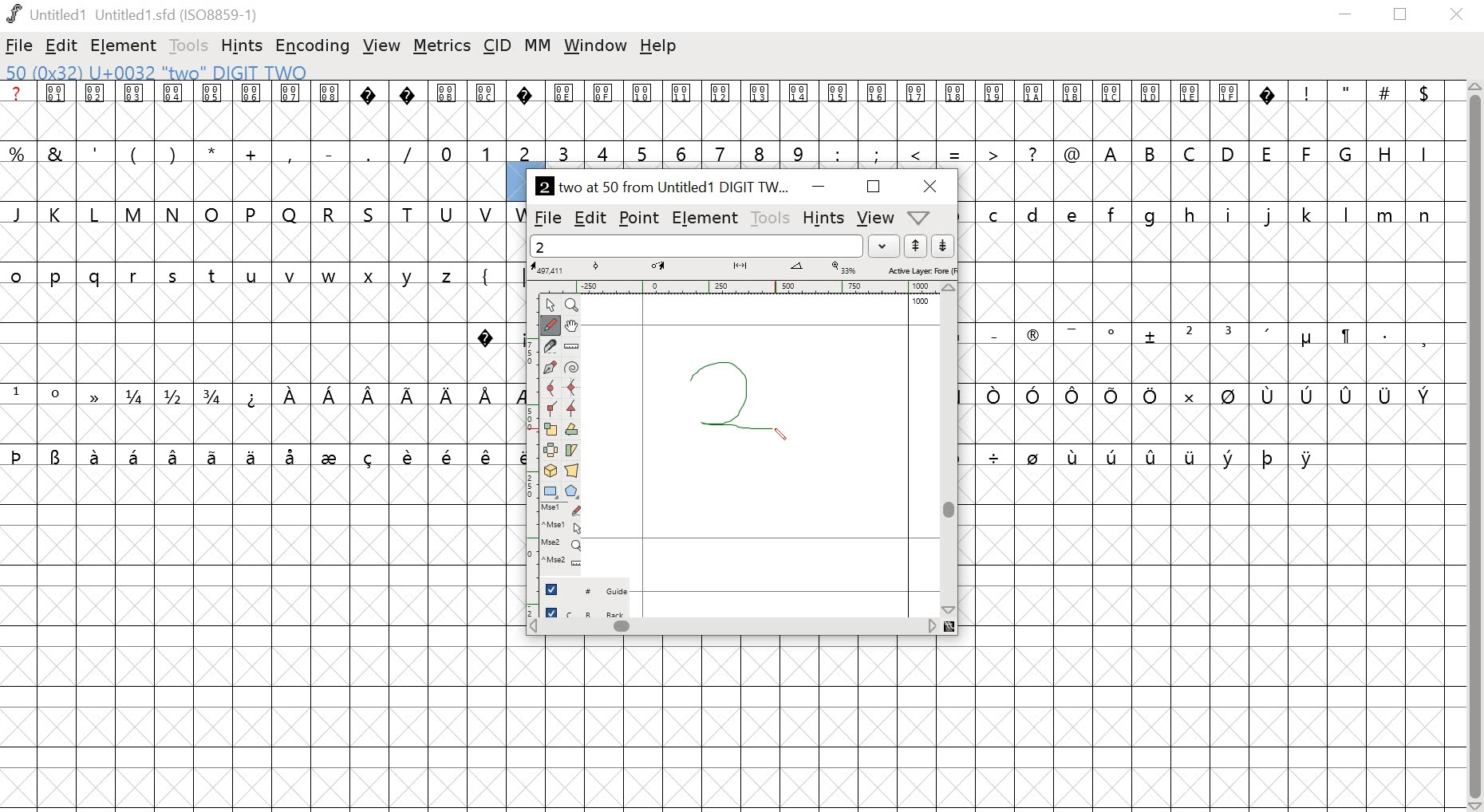  What do you see at coordinates (572, 409) in the screenshot?
I see `tangent` at bounding box center [572, 409].